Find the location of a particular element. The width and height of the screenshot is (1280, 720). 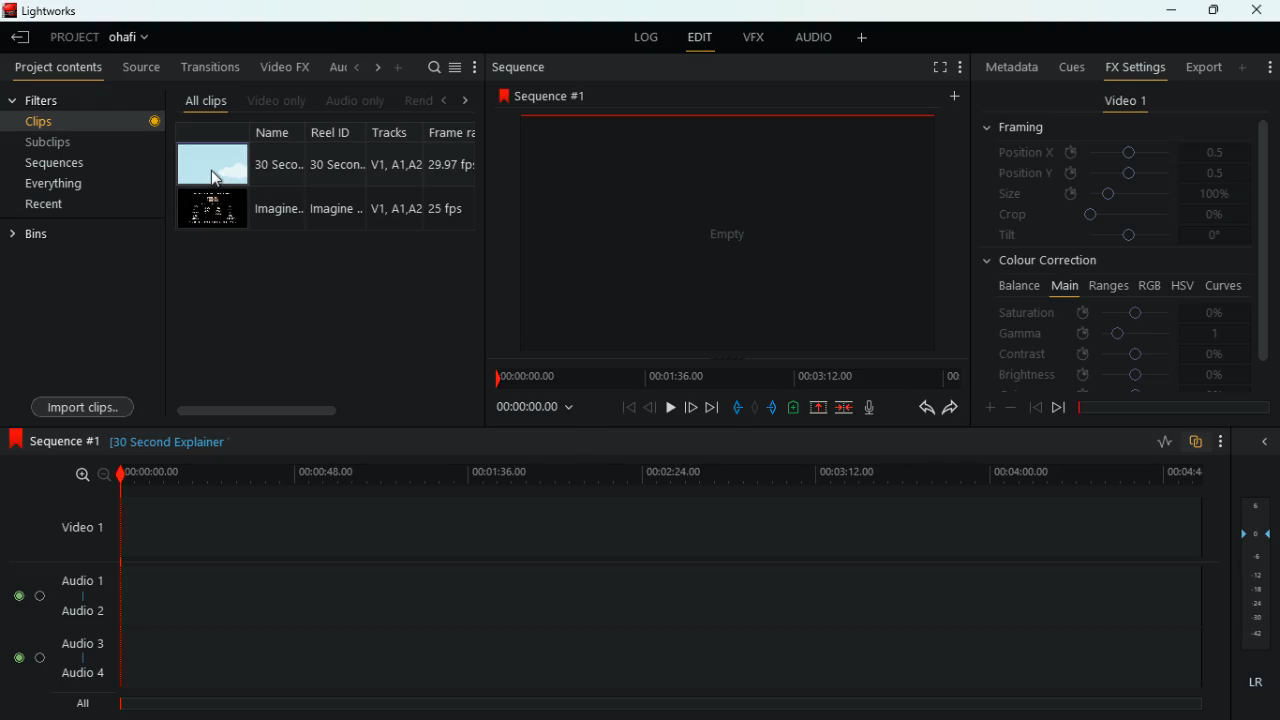

rate is located at coordinates (1159, 442).